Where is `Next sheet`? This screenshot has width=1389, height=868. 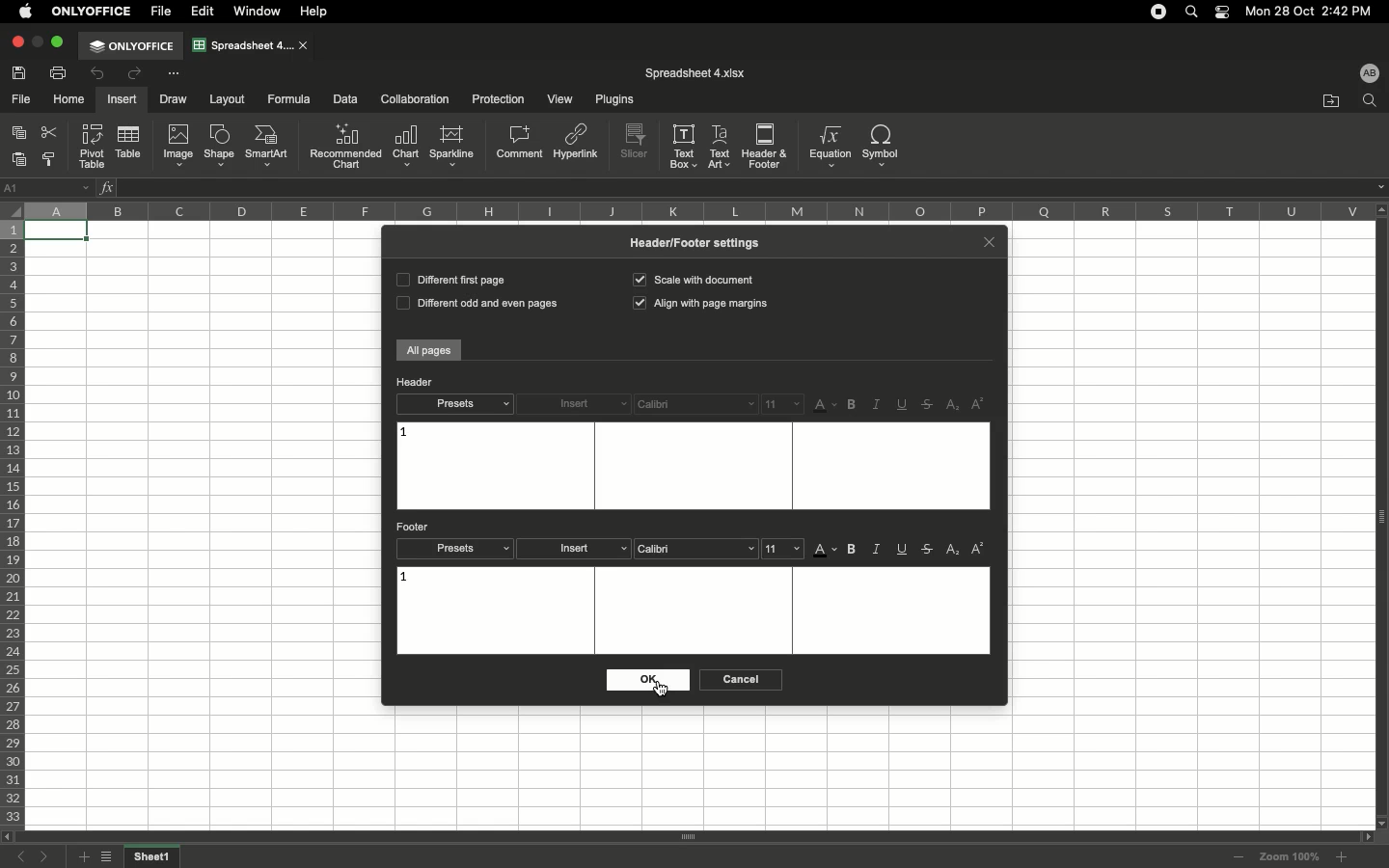
Next sheet is located at coordinates (49, 857).